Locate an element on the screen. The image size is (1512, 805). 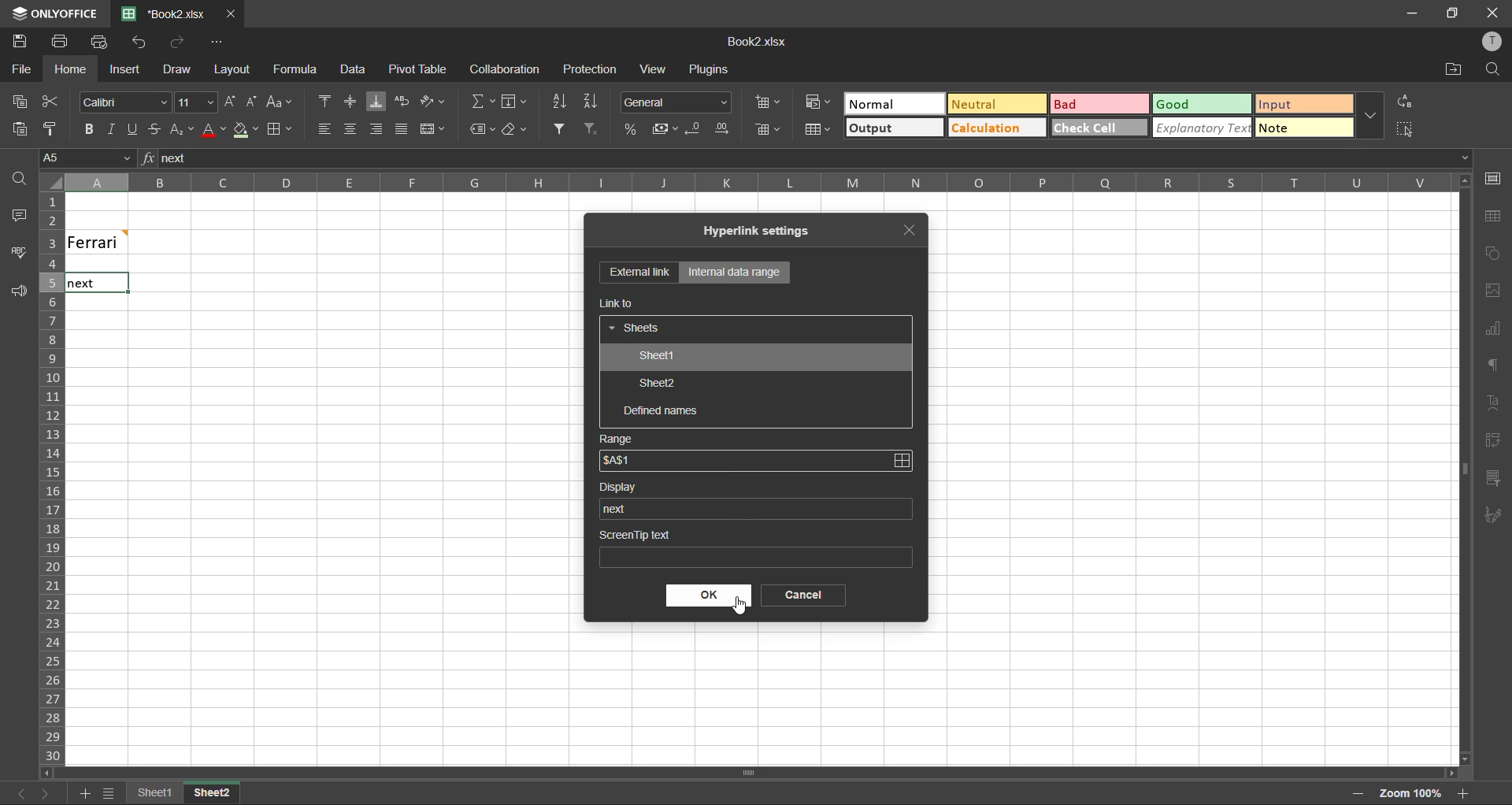
clear filter is located at coordinates (591, 127).